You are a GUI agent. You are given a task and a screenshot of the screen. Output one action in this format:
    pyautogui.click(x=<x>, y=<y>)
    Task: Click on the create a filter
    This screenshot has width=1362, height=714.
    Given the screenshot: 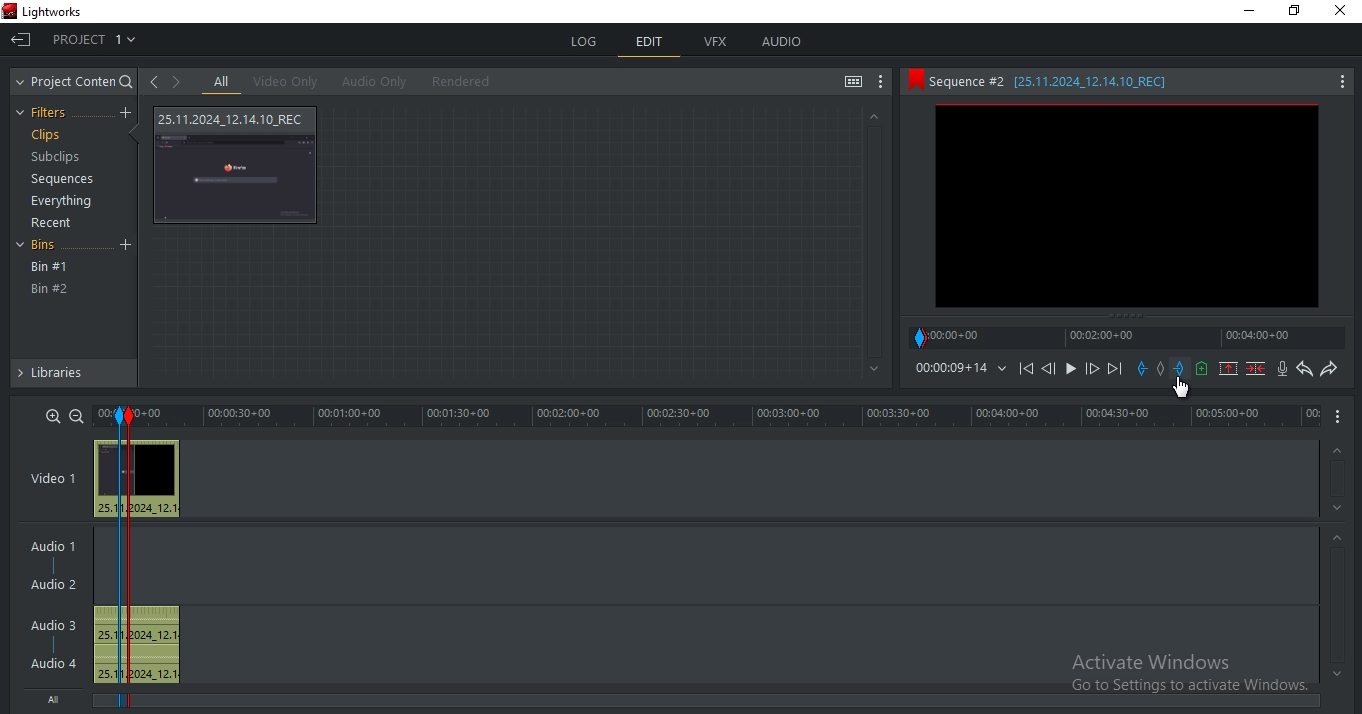 What is the action you would take?
    pyautogui.click(x=125, y=113)
    